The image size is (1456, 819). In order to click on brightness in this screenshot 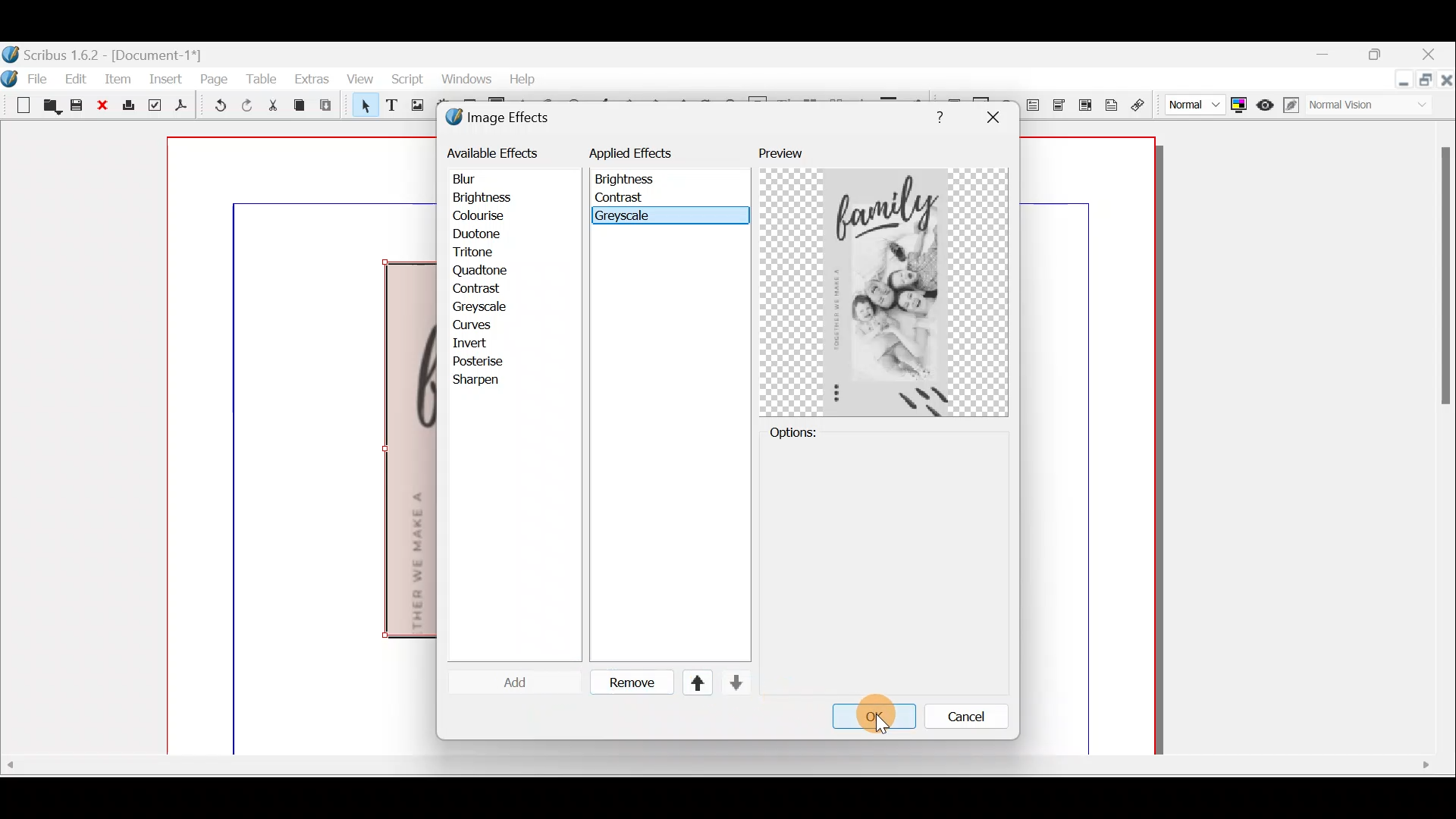, I will do `click(488, 197)`.